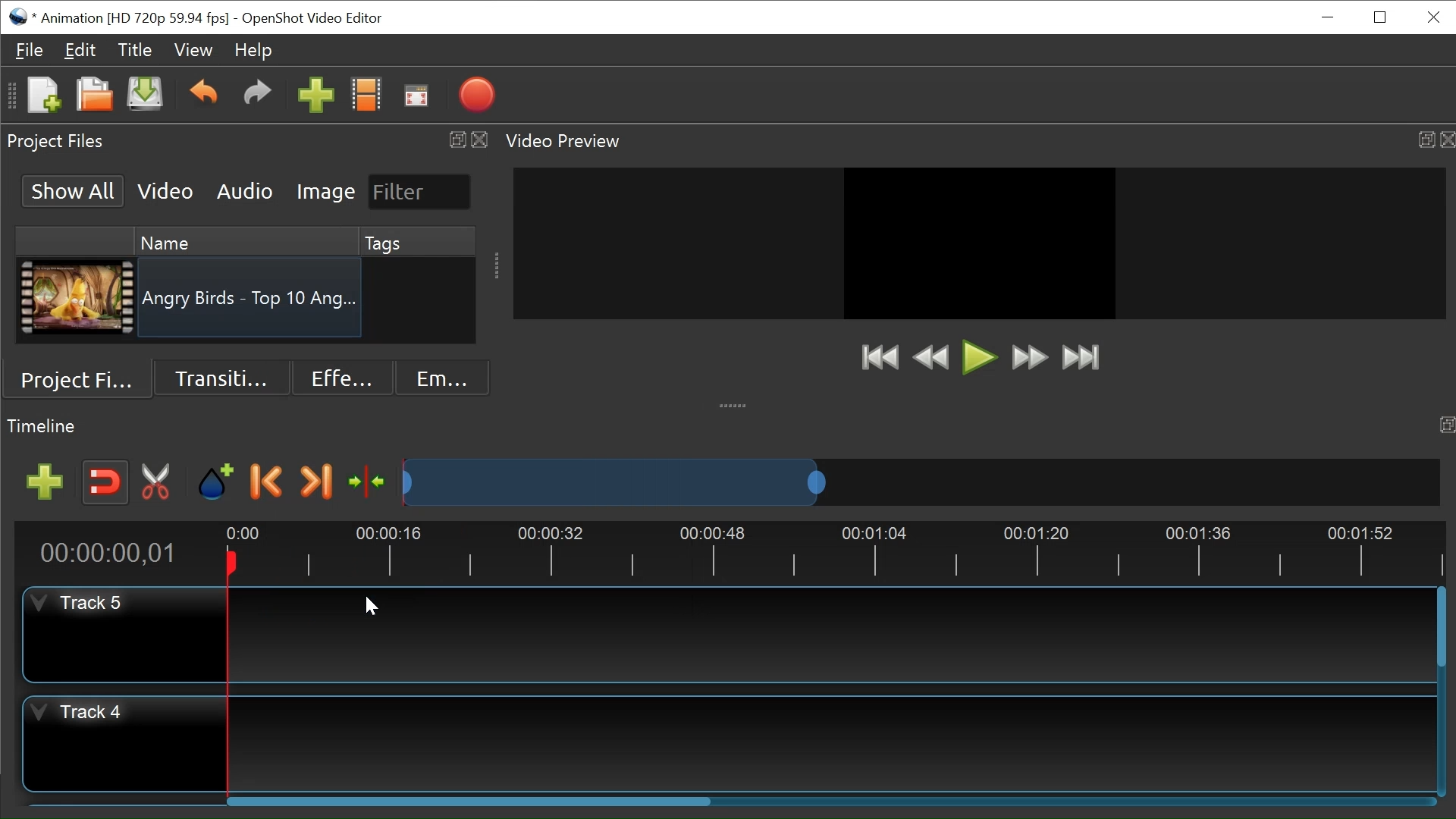 This screenshot has width=1456, height=819. Describe the element at coordinates (467, 237) in the screenshot. I see `Scroll up` at that location.